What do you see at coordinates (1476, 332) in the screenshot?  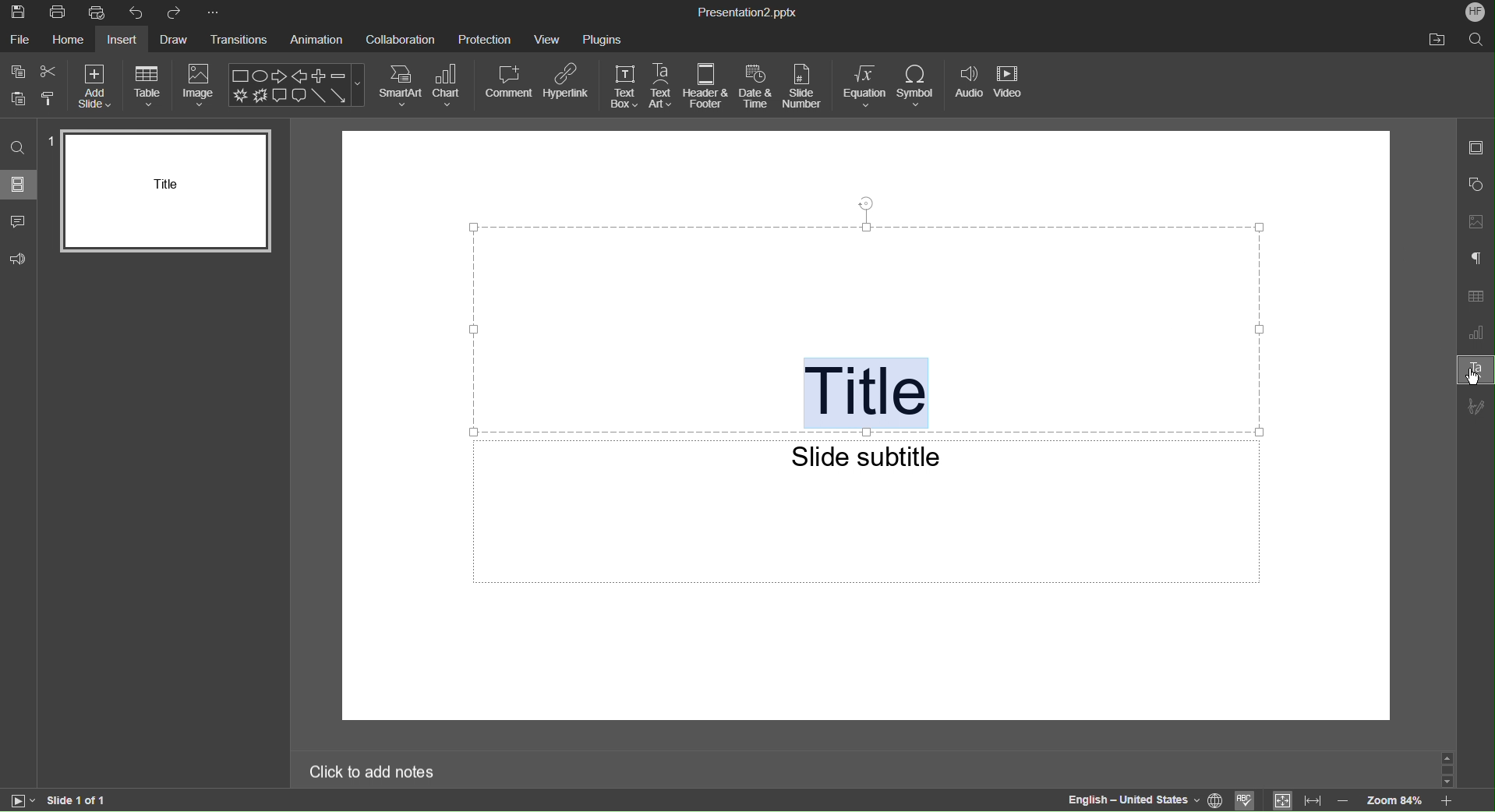 I see `Graph Settings` at bounding box center [1476, 332].